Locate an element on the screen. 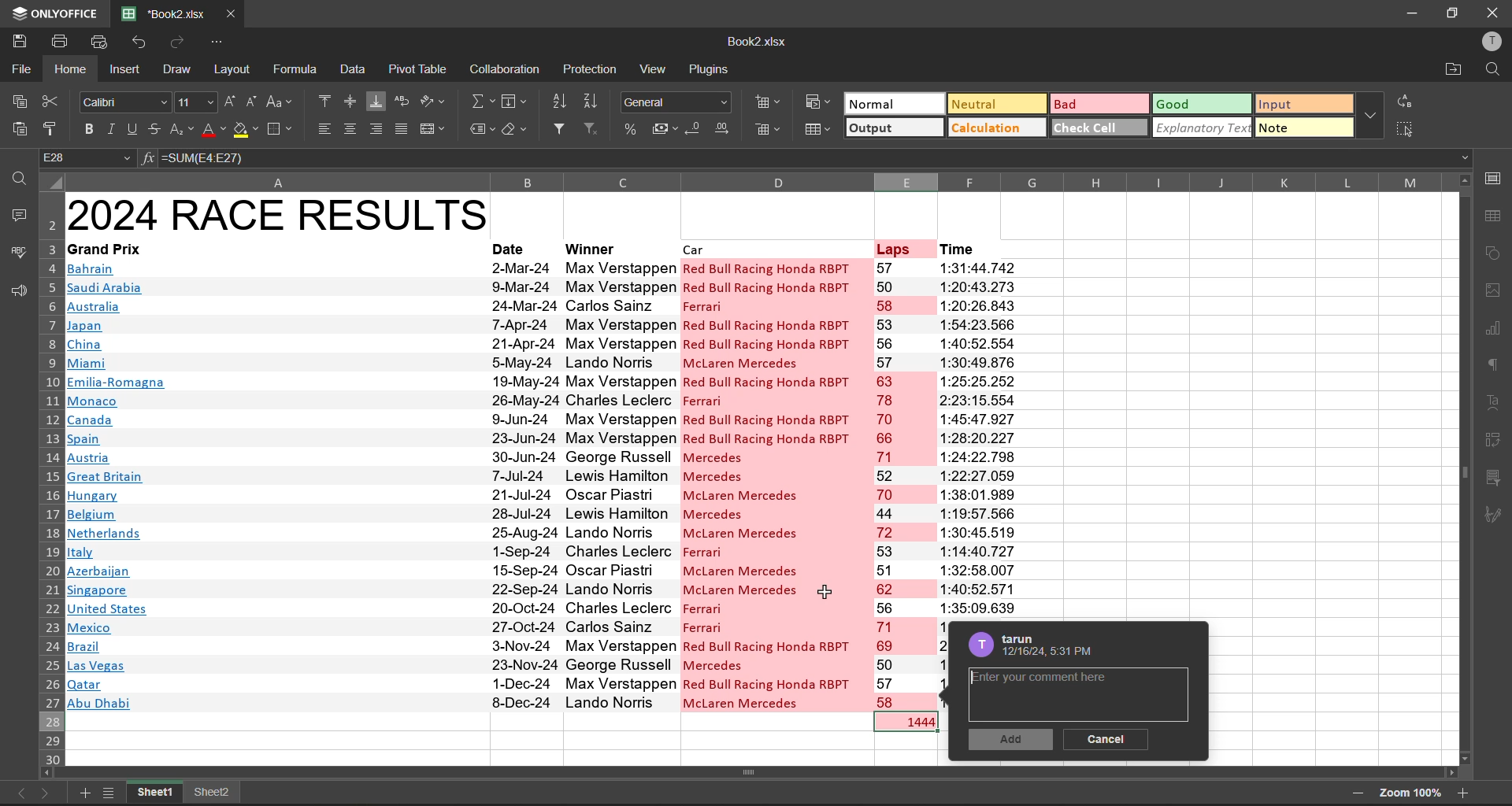  profile is located at coordinates (1488, 40).